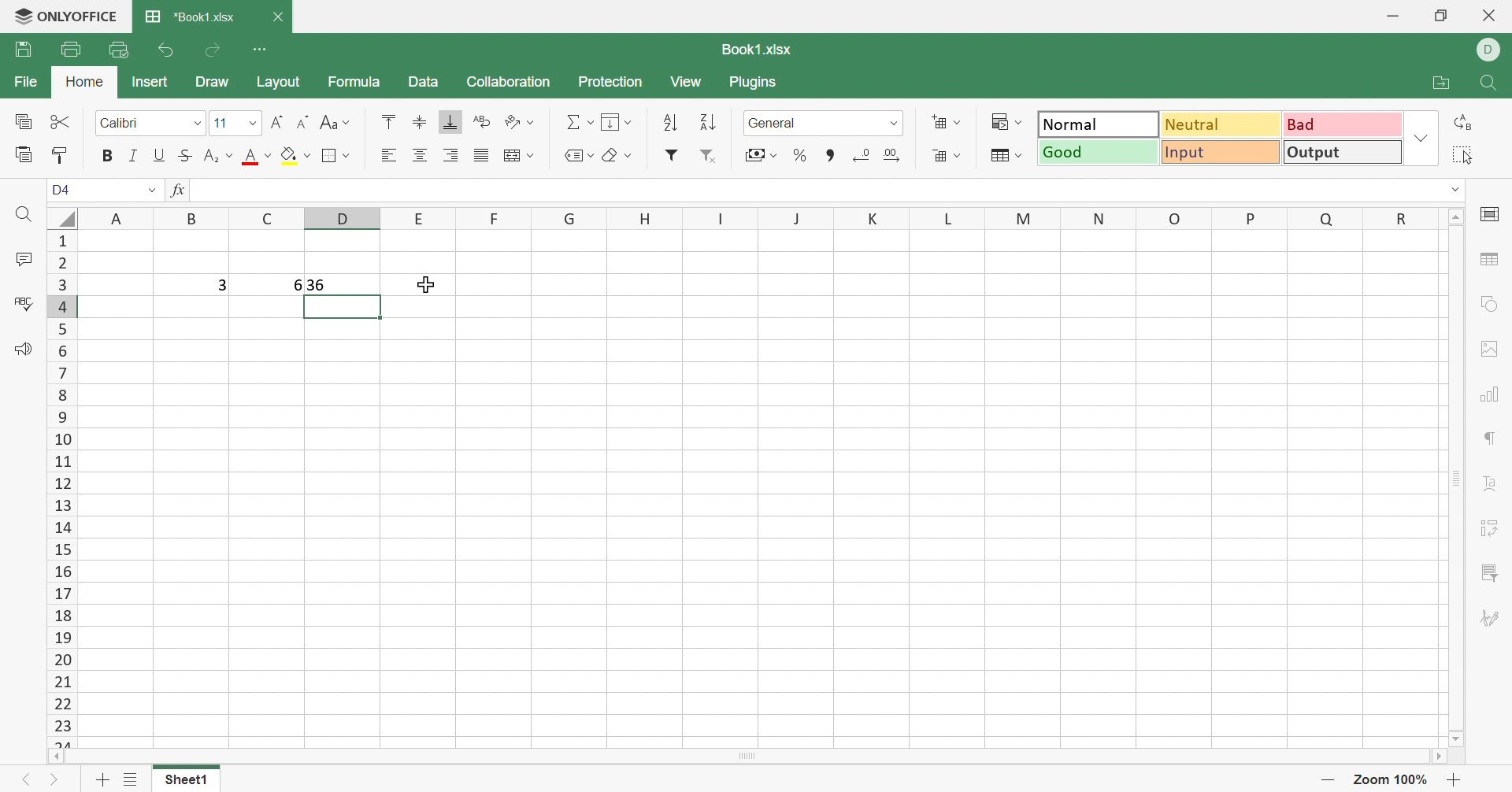 The height and width of the screenshot is (792, 1512). I want to click on Paragraph settings, so click(1492, 439).